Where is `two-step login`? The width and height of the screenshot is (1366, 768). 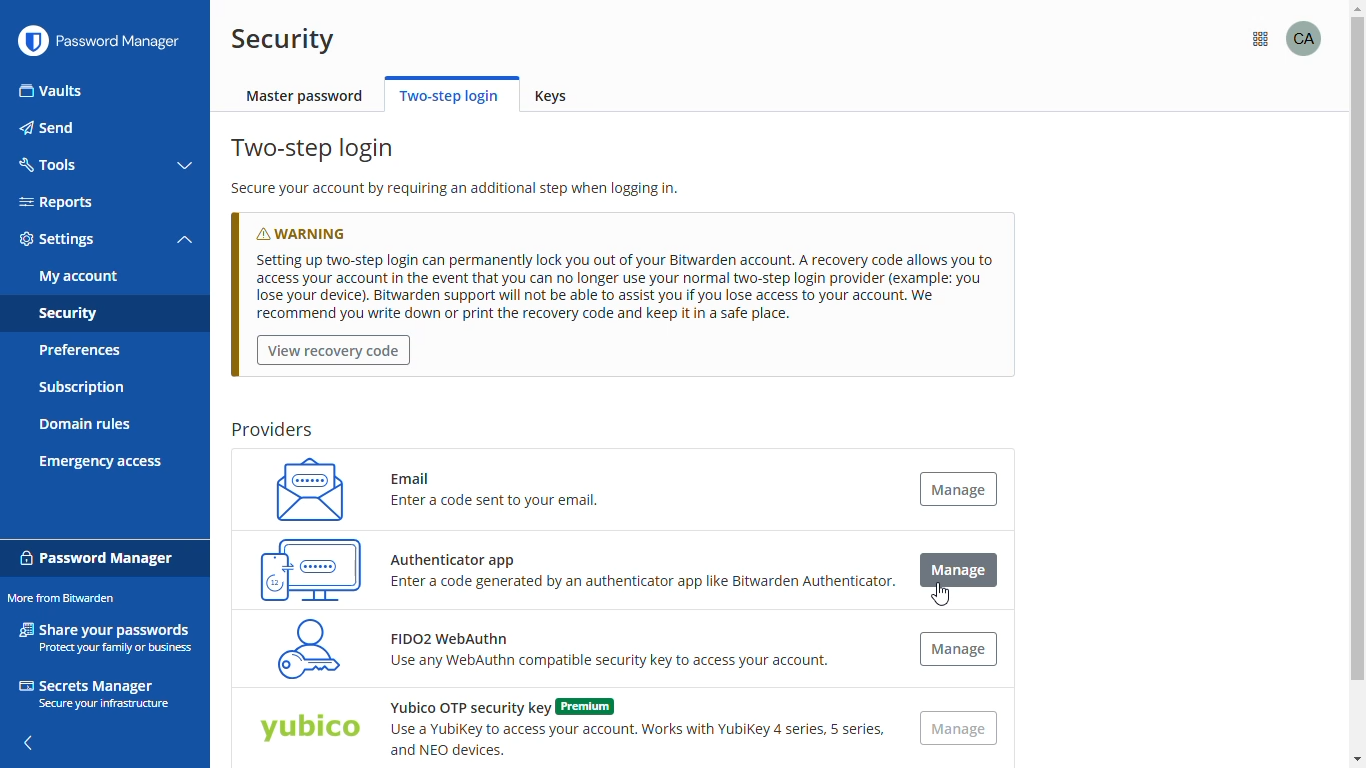
two-step login is located at coordinates (449, 95).